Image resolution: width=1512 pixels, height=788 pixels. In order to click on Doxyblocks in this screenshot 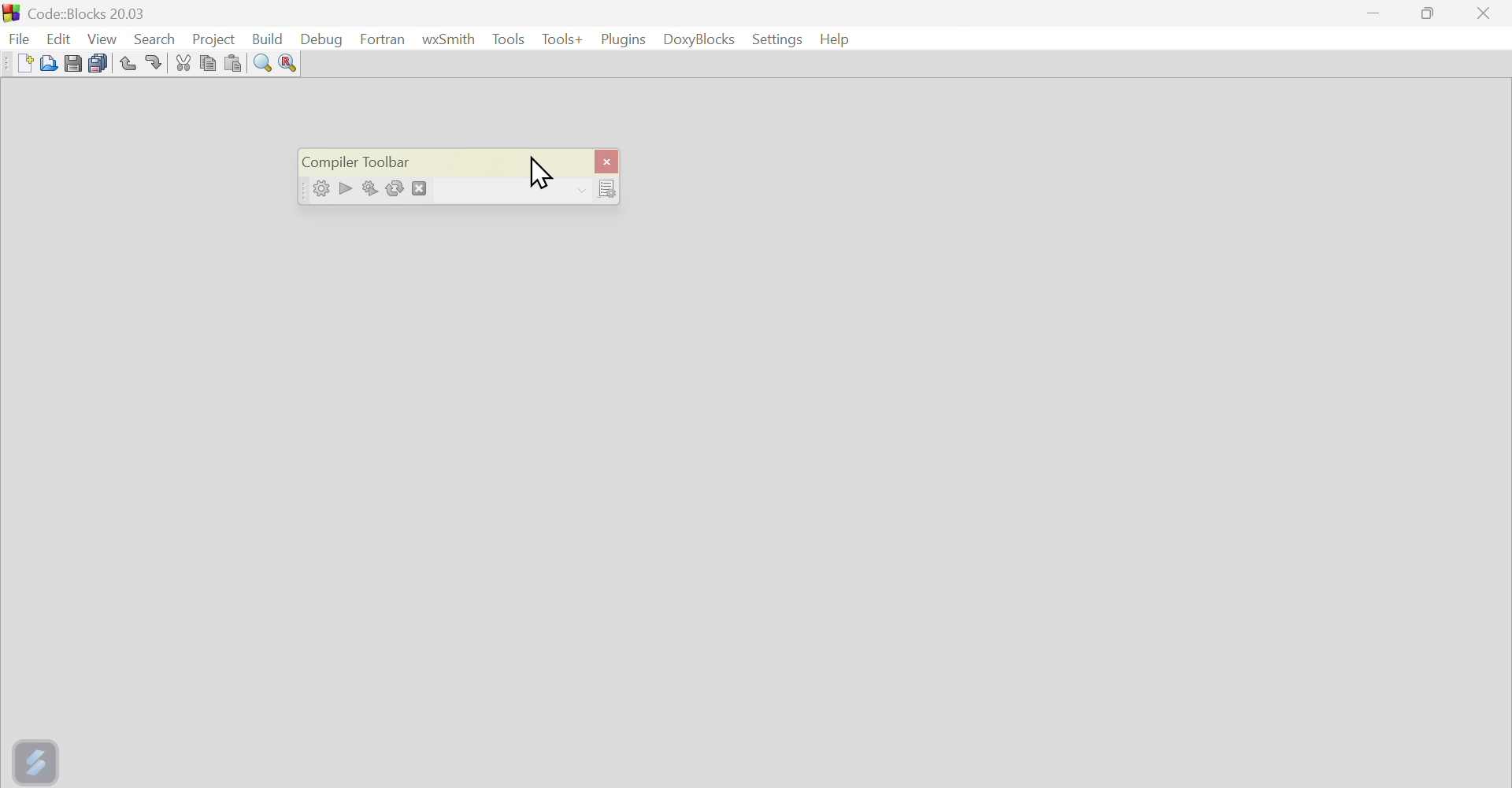, I will do `click(699, 41)`.